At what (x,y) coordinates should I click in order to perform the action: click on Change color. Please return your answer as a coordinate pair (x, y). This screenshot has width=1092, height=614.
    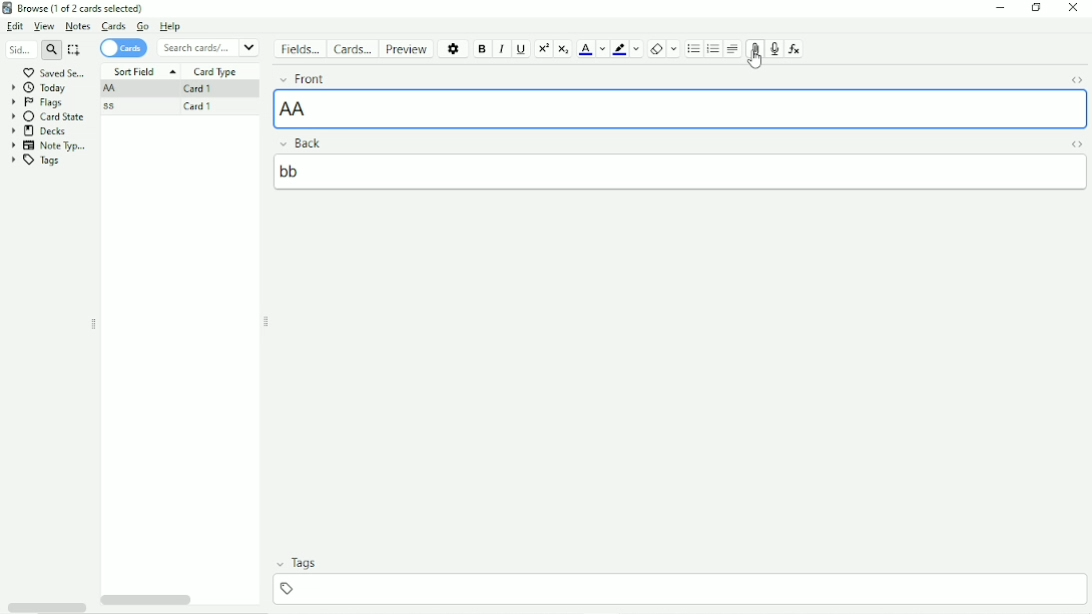
    Looking at the image, I should click on (602, 49).